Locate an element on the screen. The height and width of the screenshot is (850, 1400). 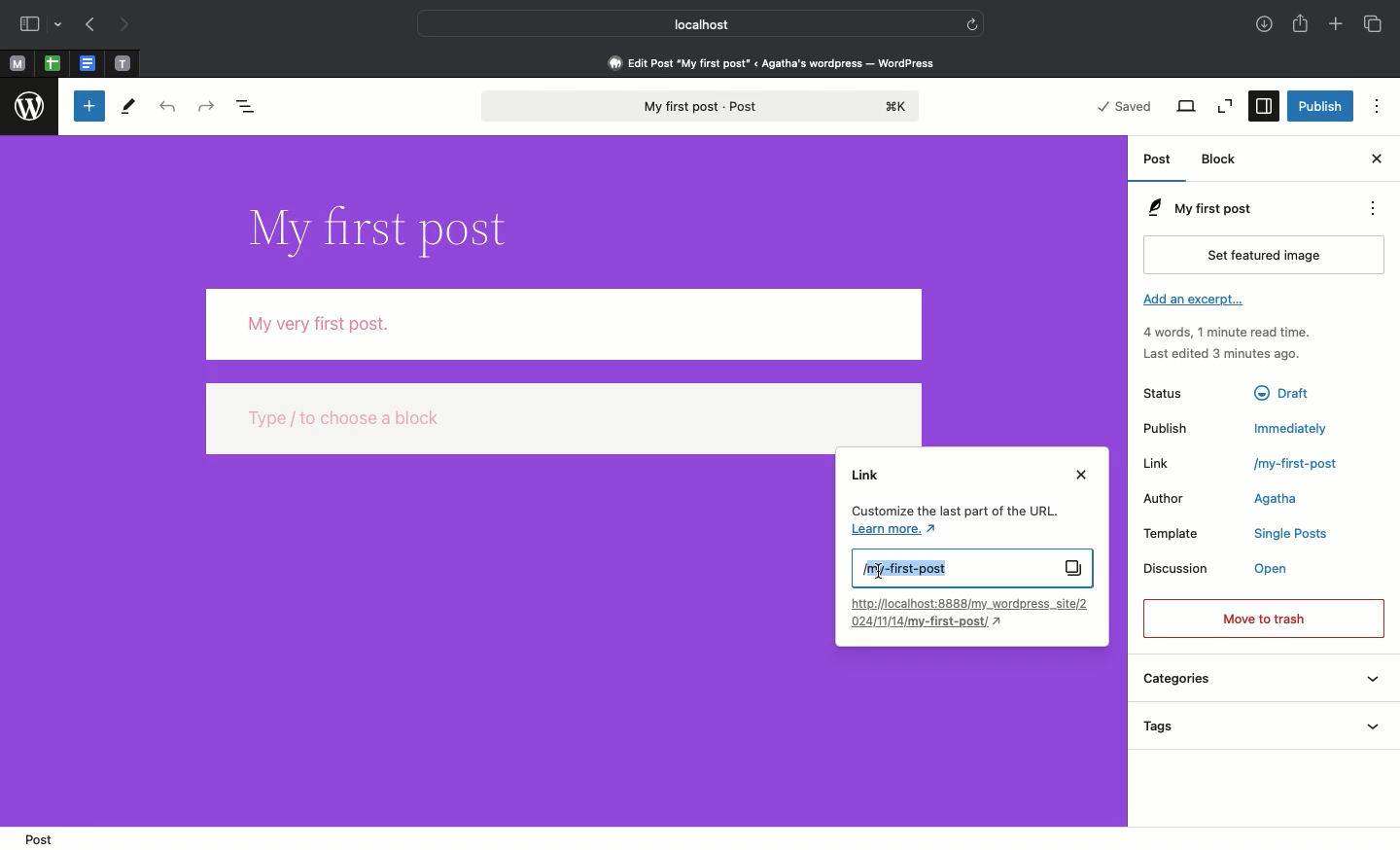
Sidebar is located at coordinates (28, 23).